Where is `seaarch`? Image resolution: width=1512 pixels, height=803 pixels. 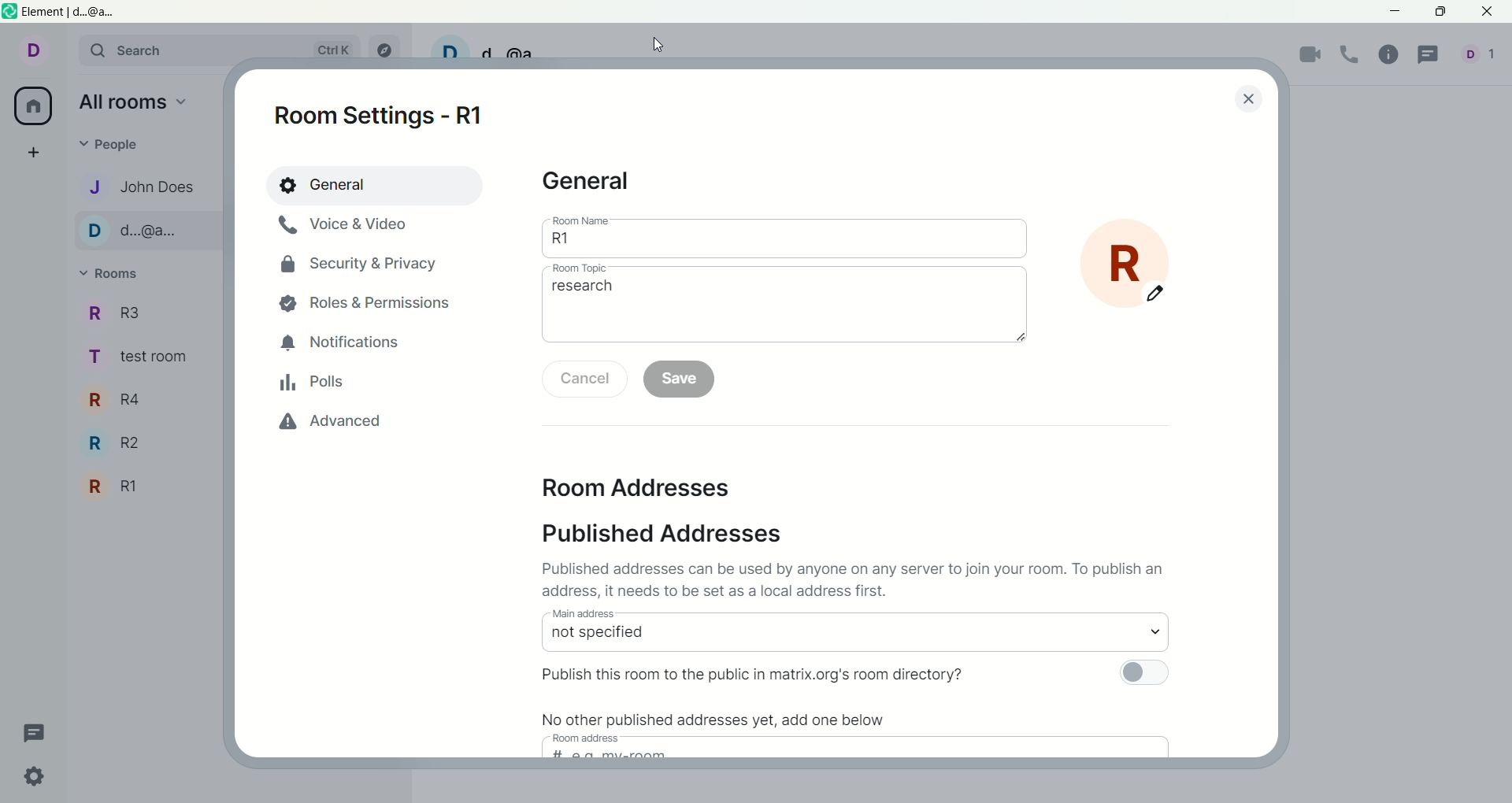 seaarch is located at coordinates (220, 52).